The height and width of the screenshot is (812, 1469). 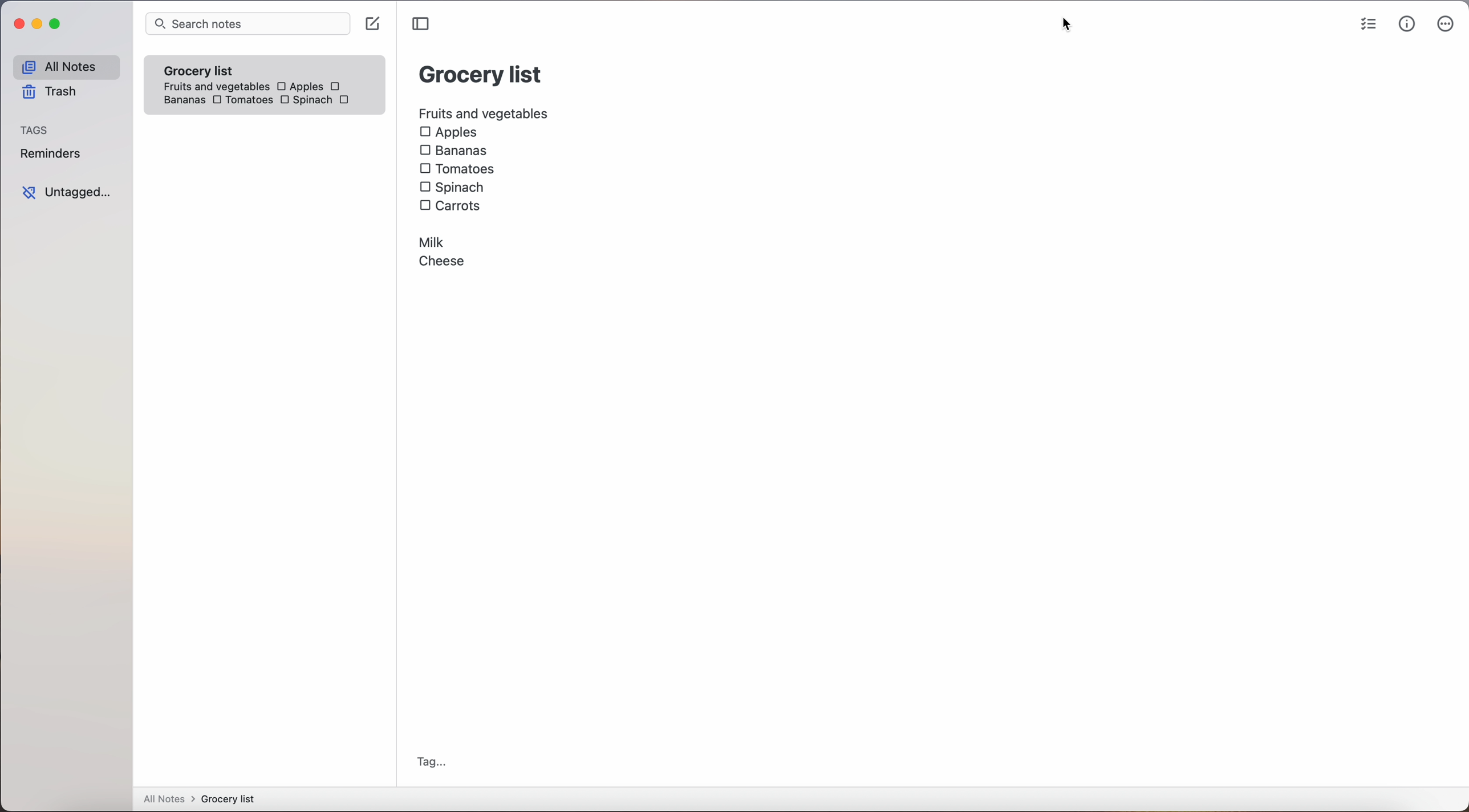 What do you see at coordinates (1364, 24) in the screenshot?
I see `check list` at bounding box center [1364, 24].